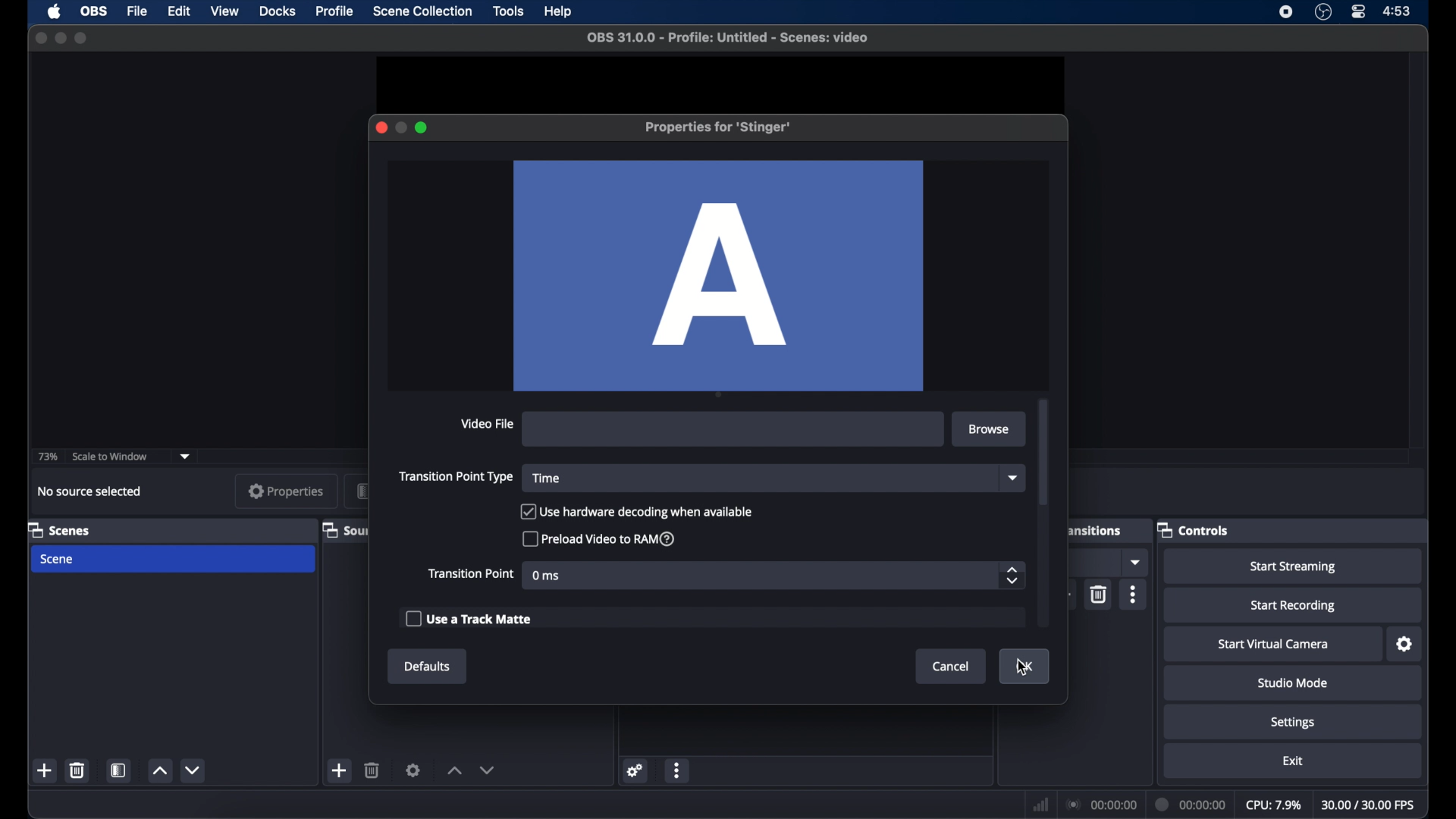  I want to click on decrement, so click(487, 770).